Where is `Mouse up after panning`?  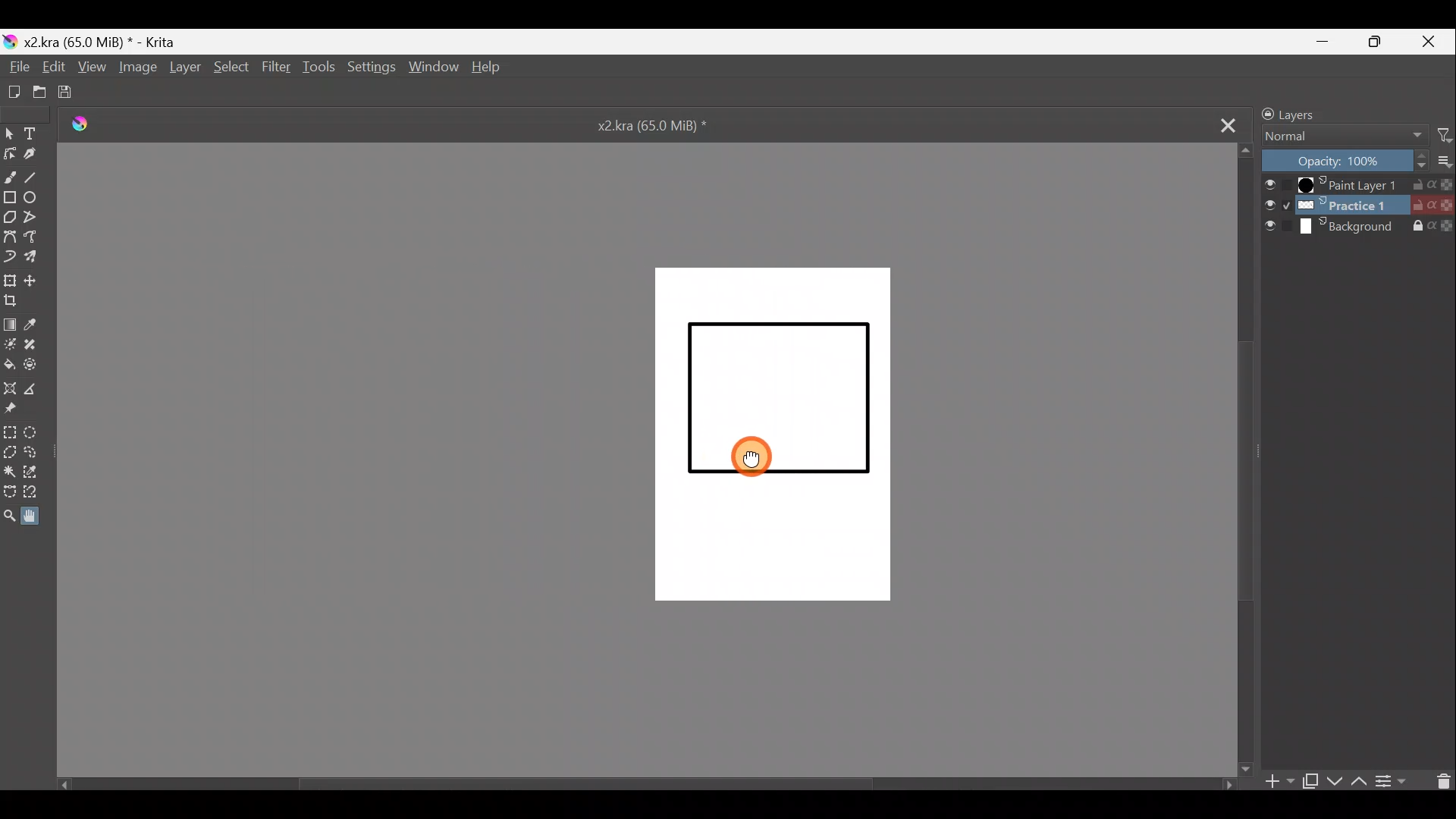
Mouse up after panning is located at coordinates (763, 457).